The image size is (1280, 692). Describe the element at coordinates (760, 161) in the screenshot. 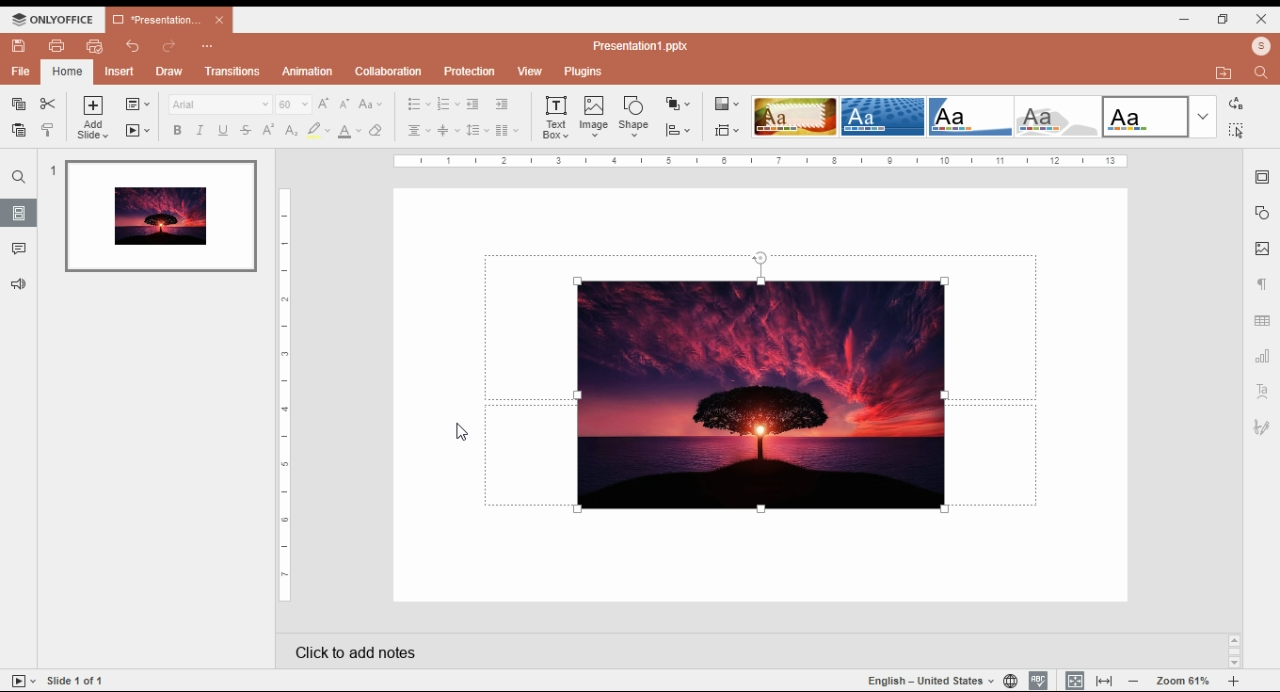

I see `Scale` at that location.